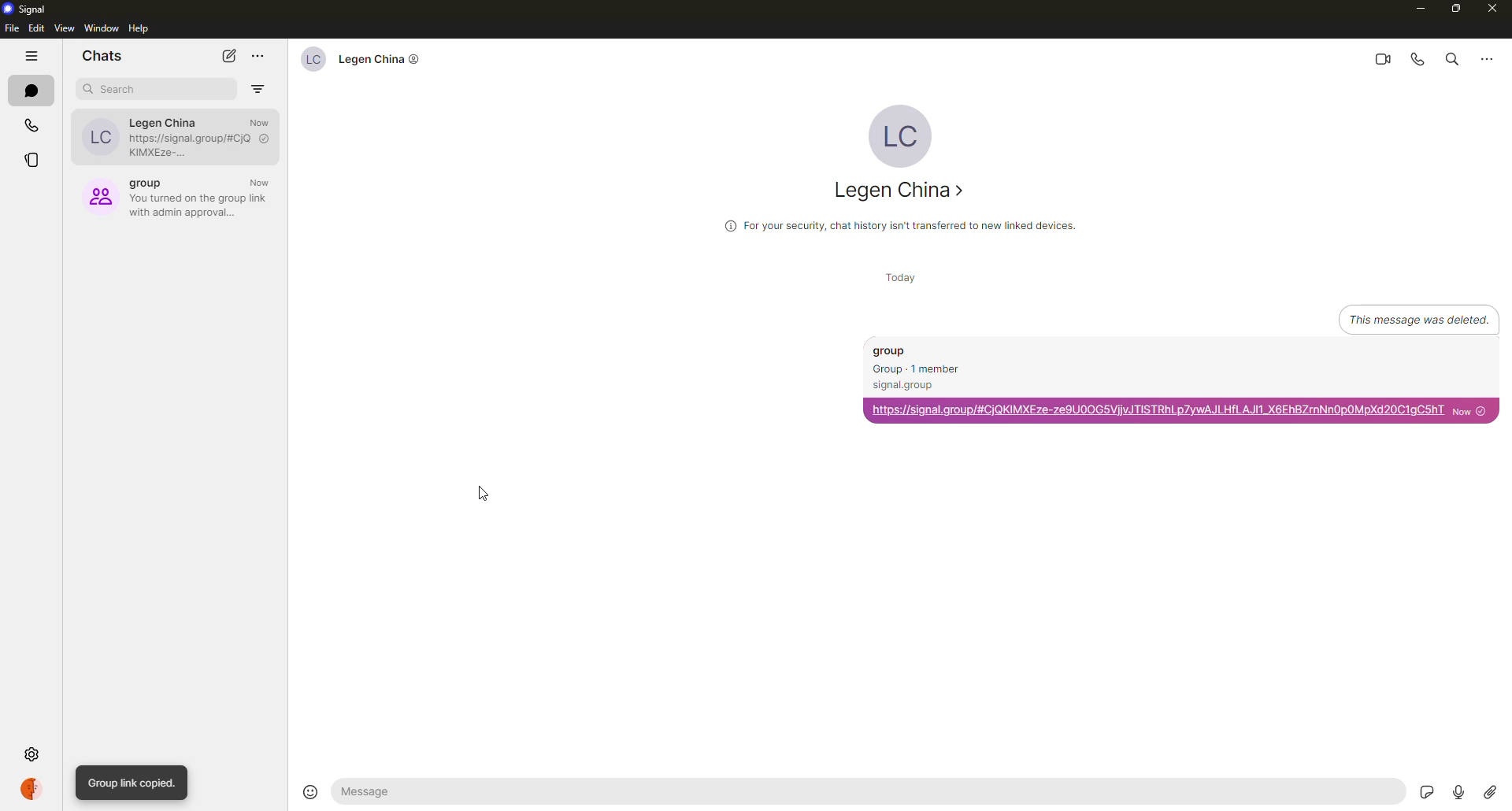  I want to click on group link copied, so click(133, 783).